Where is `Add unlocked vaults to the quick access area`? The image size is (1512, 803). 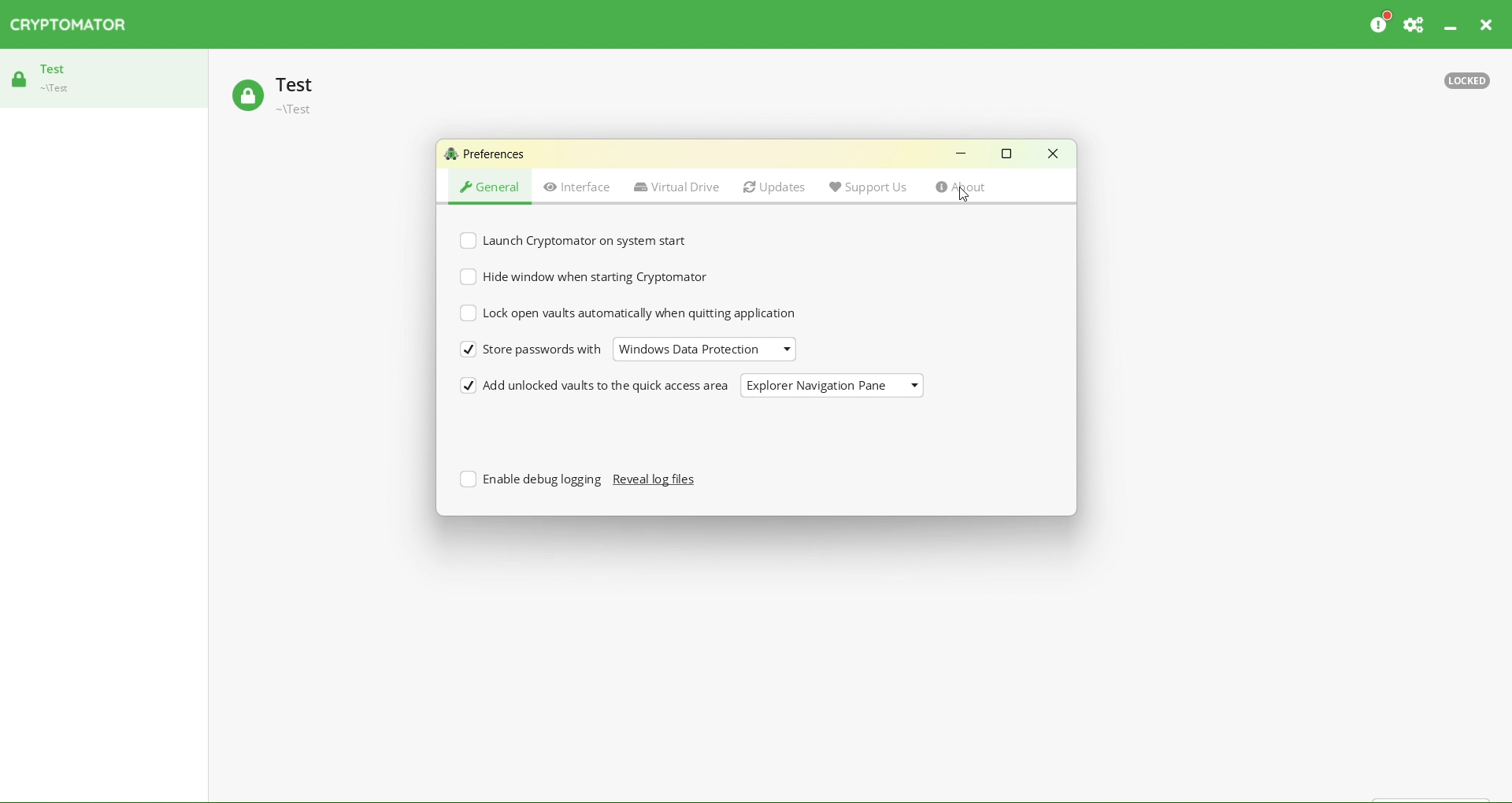
Add unlocked vaults to the quick access area is located at coordinates (707, 383).